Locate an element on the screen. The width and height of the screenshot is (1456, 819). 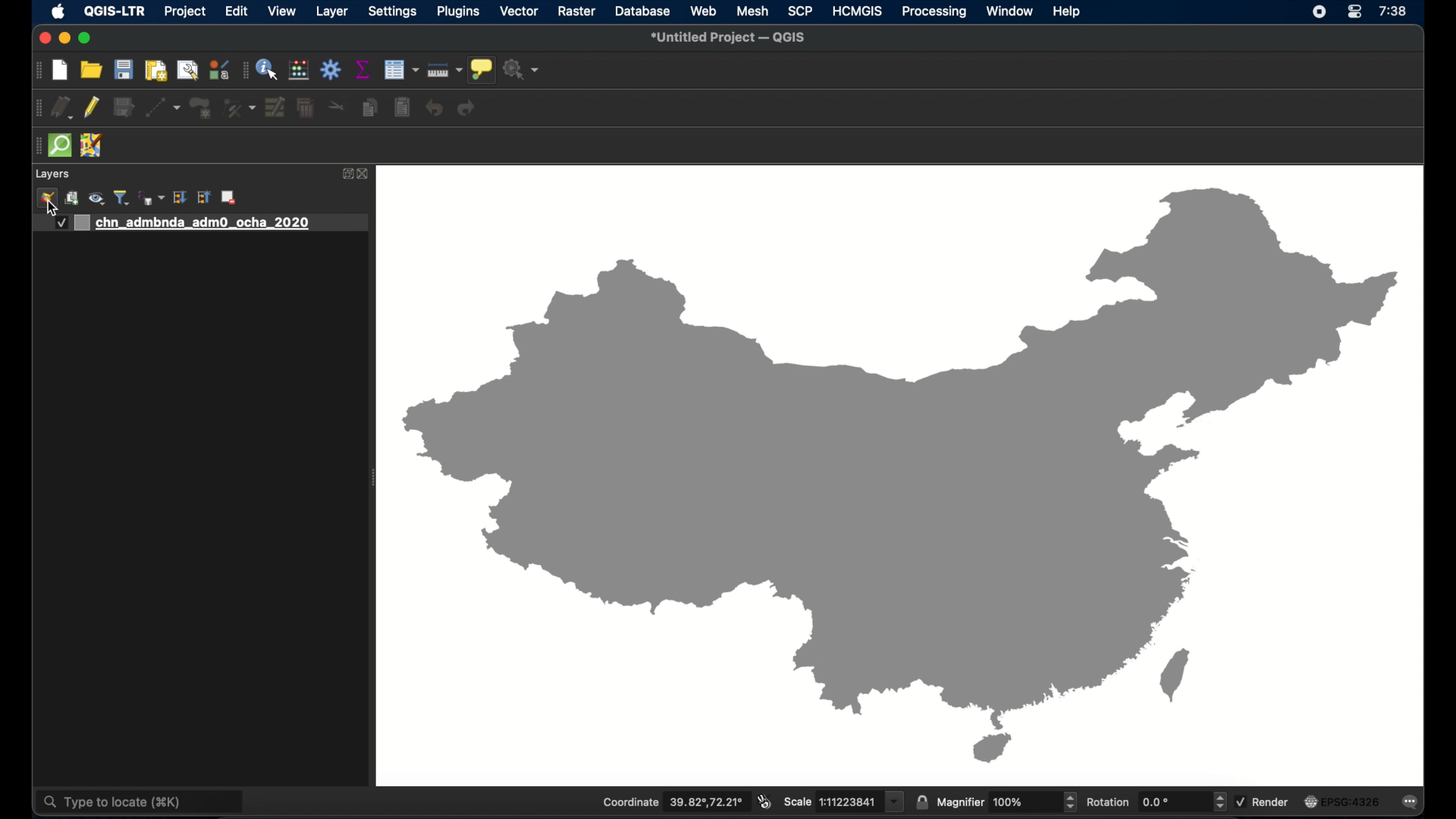
identify feature is located at coordinates (268, 69).